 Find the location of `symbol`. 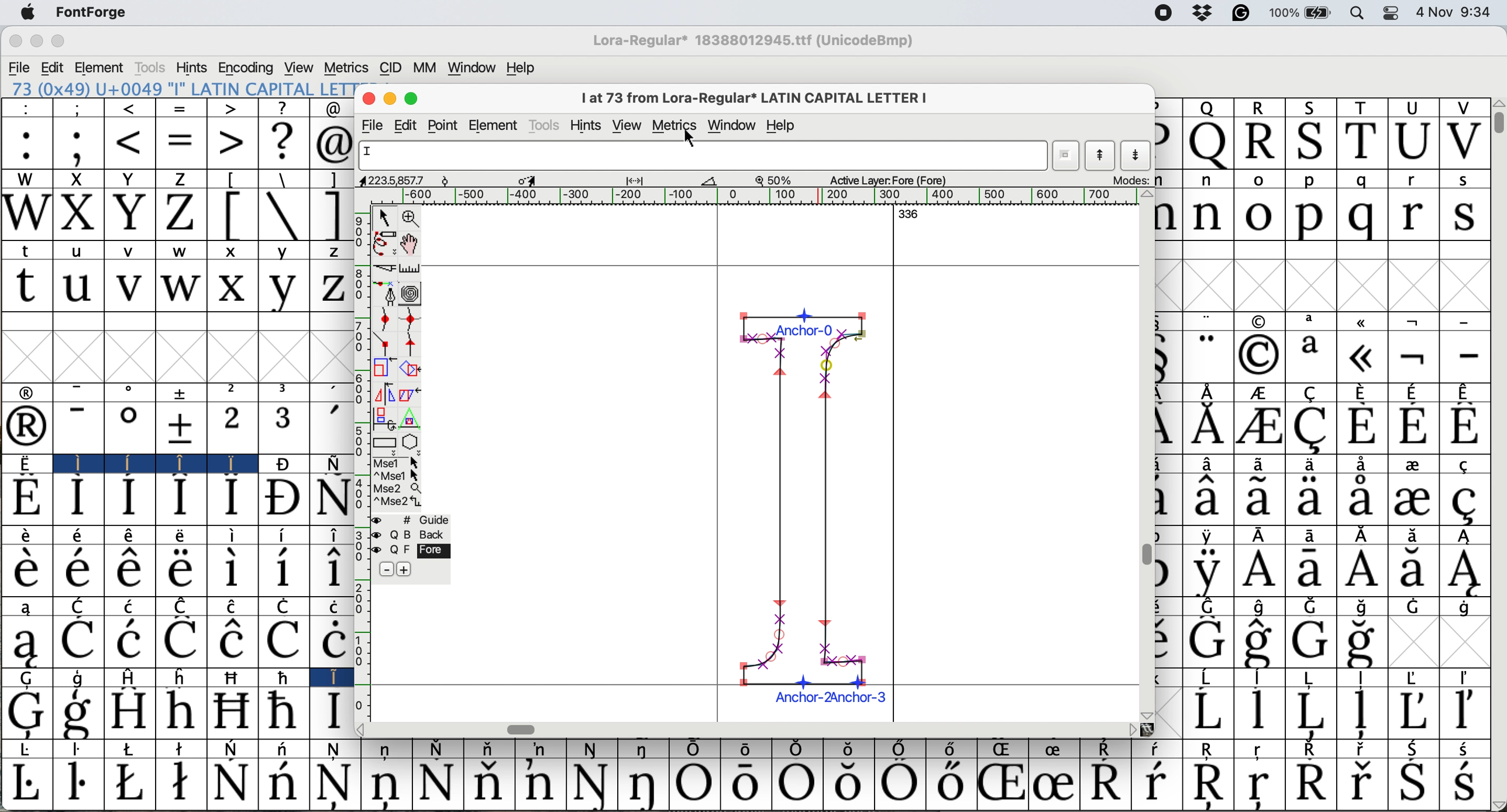

symbol is located at coordinates (1365, 321).